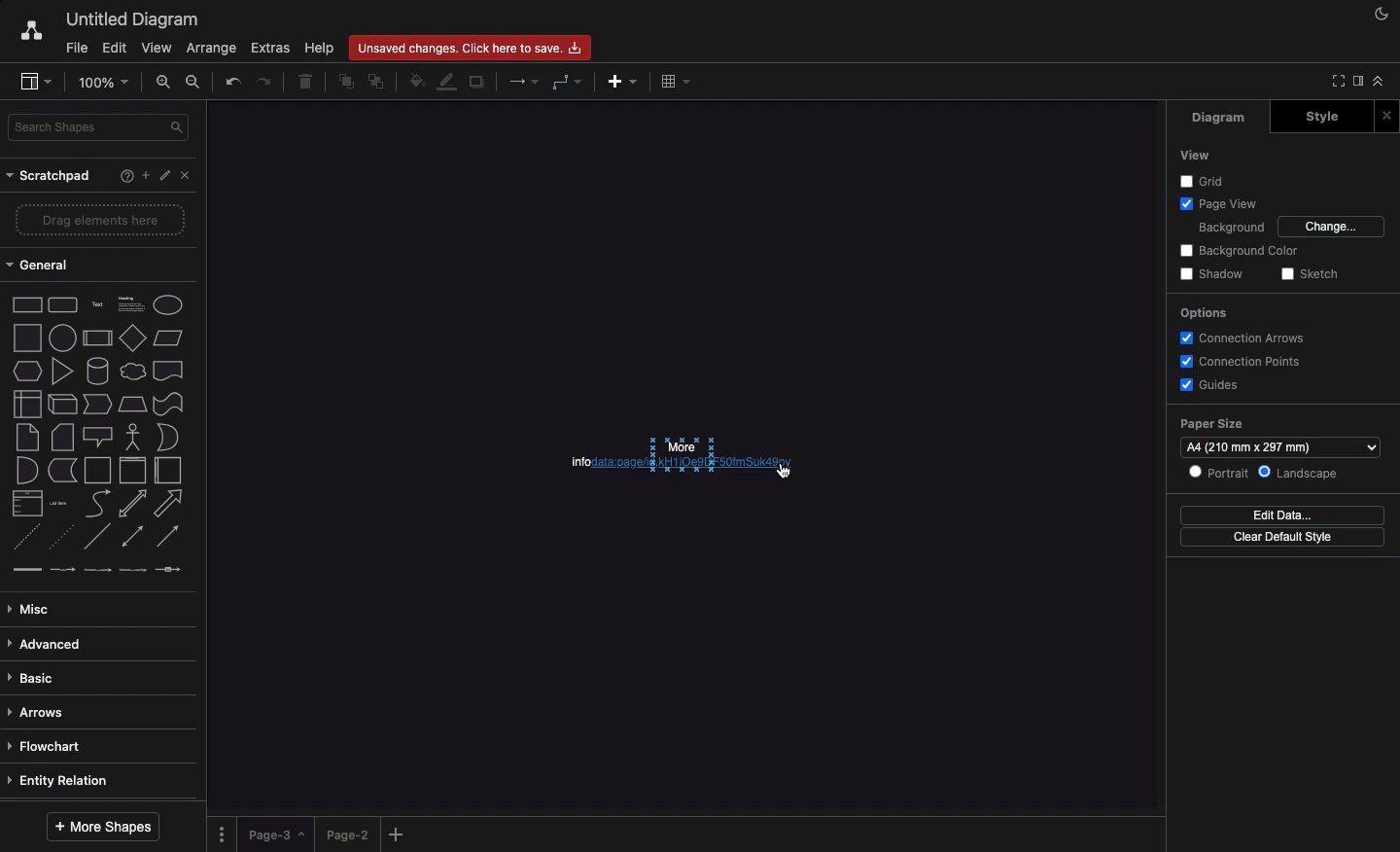 The height and width of the screenshot is (852, 1400). Describe the element at coordinates (27, 438) in the screenshot. I see `note` at that location.